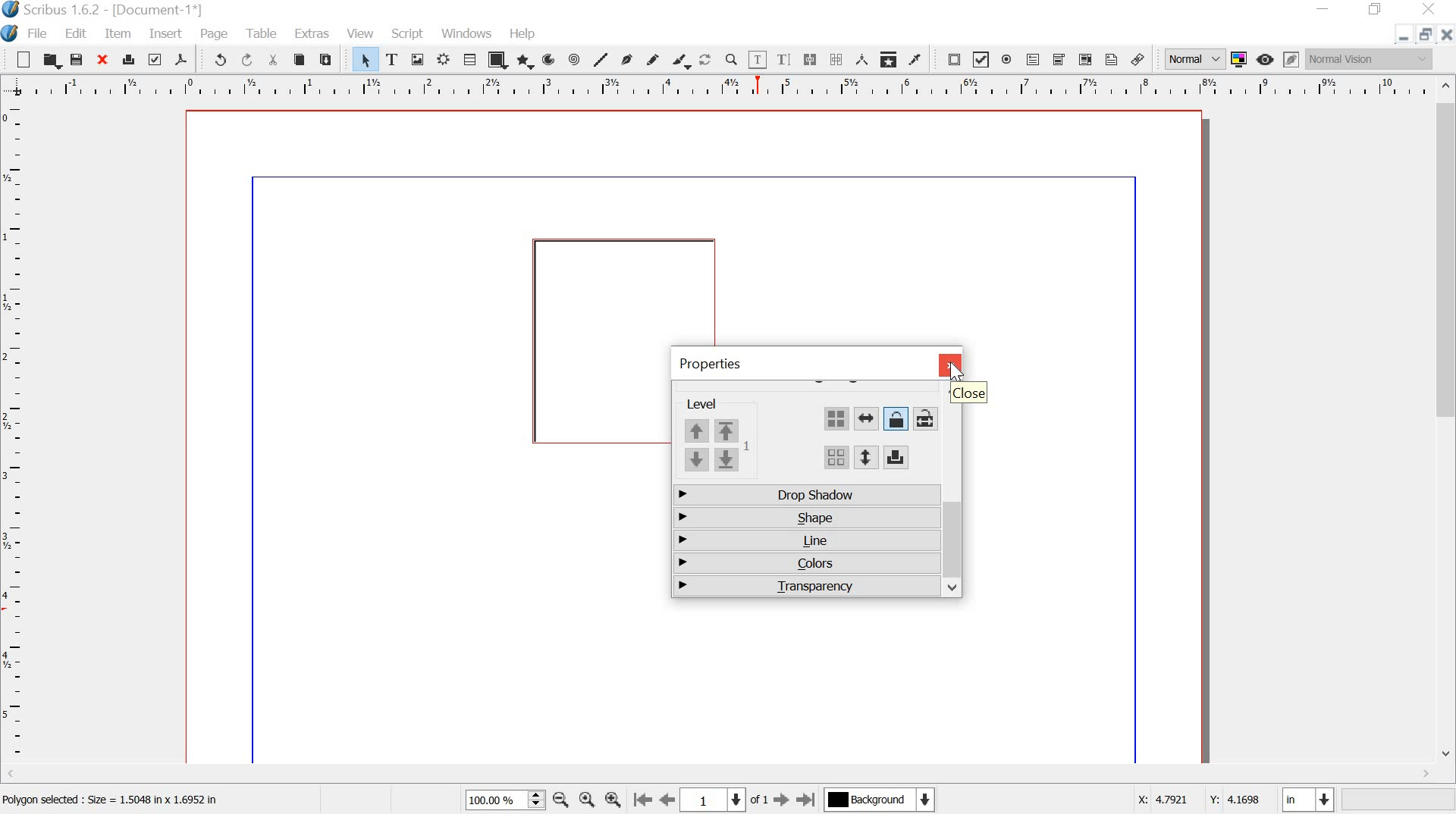 Image resolution: width=1456 pixels, height=814 pixels. I want to click on go to next page, so click(783, 800).